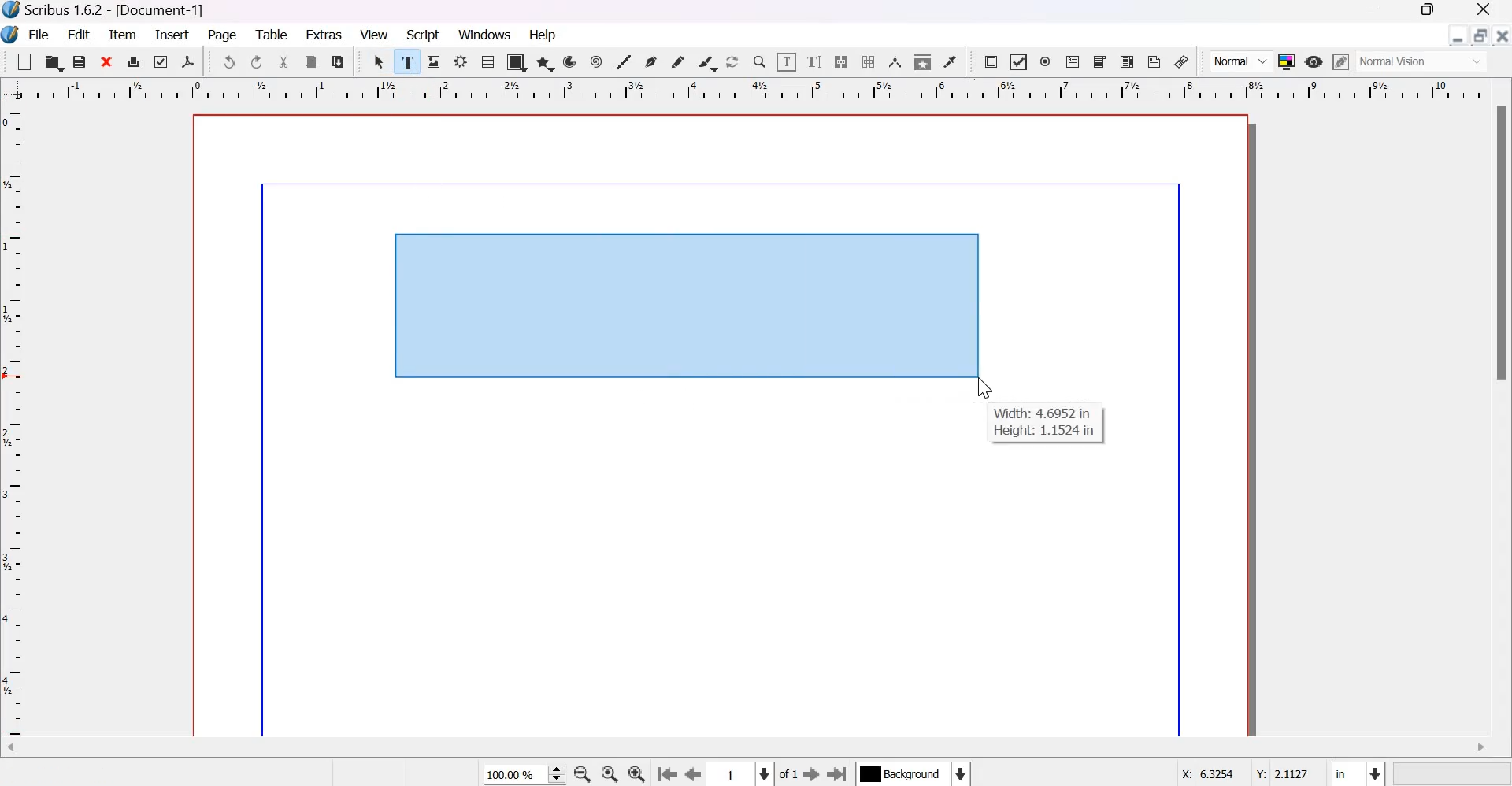 This screenshot has width=1512, height=786. I want to click on undo, so click(228, 61).